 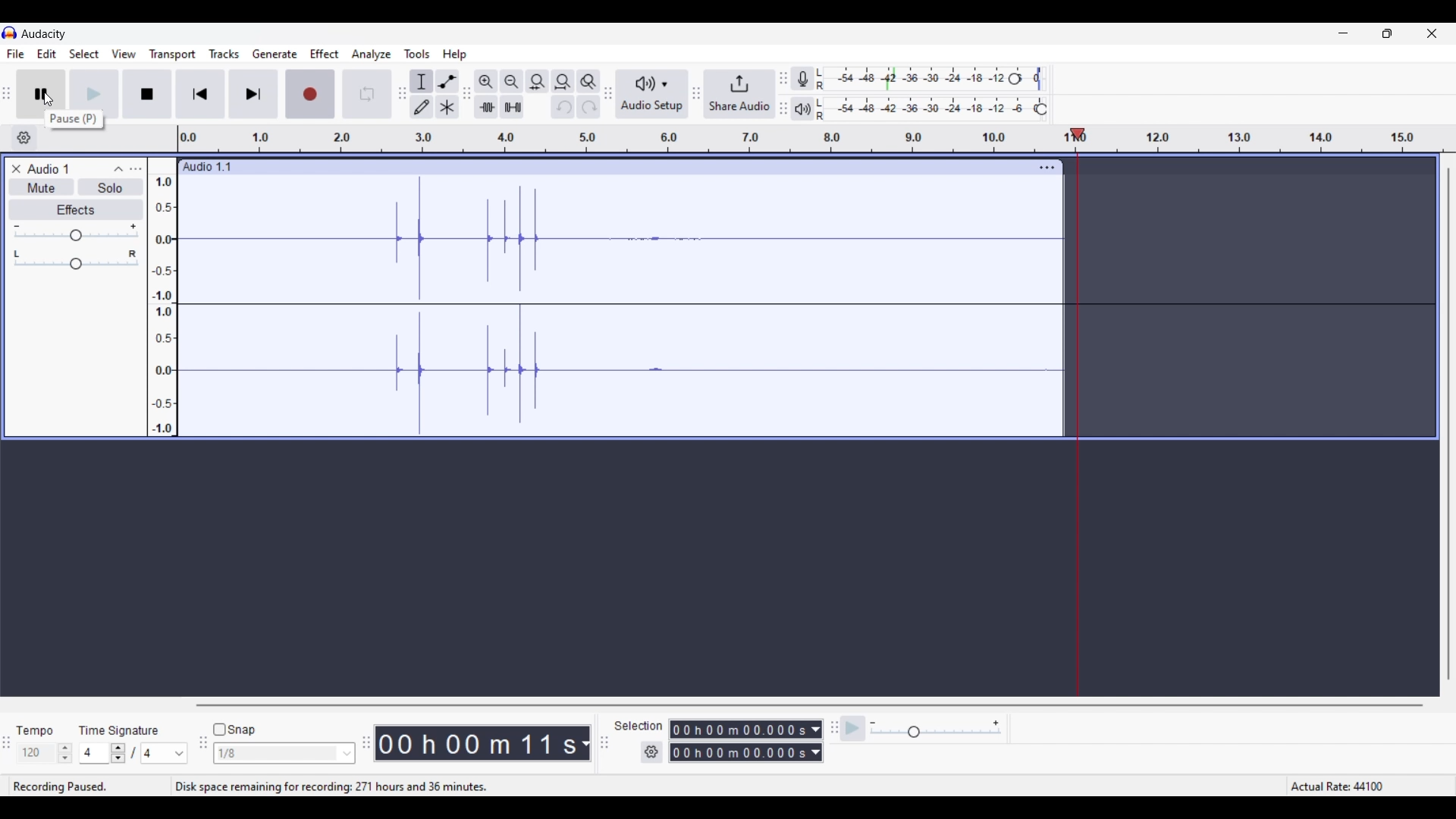 I want to click on Snap options, so click(x=347, y=754).